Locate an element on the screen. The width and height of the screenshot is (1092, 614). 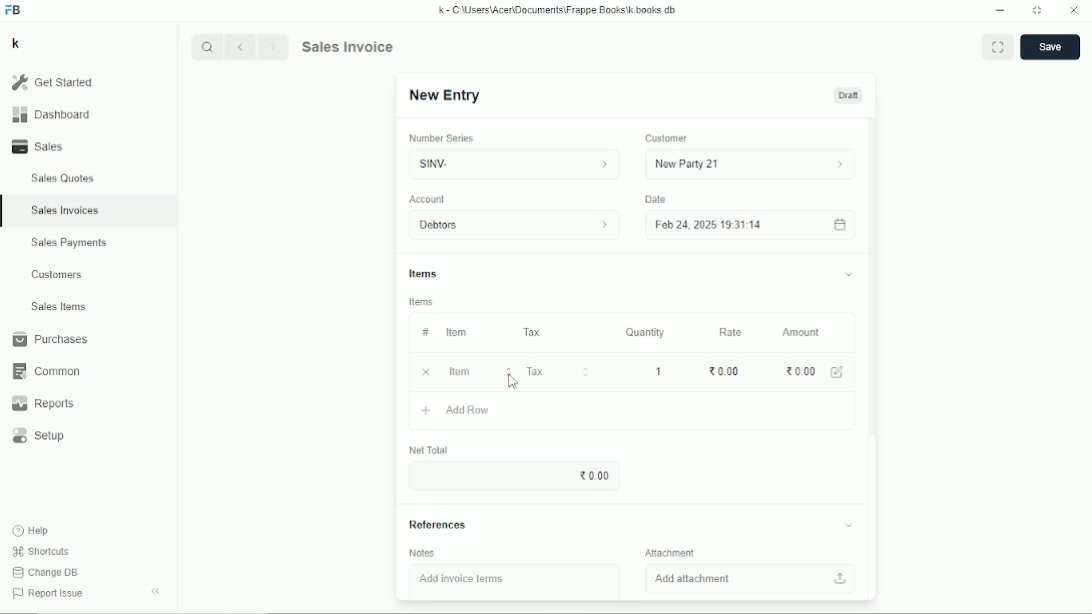
Customer is located at coordinates (667, 139).